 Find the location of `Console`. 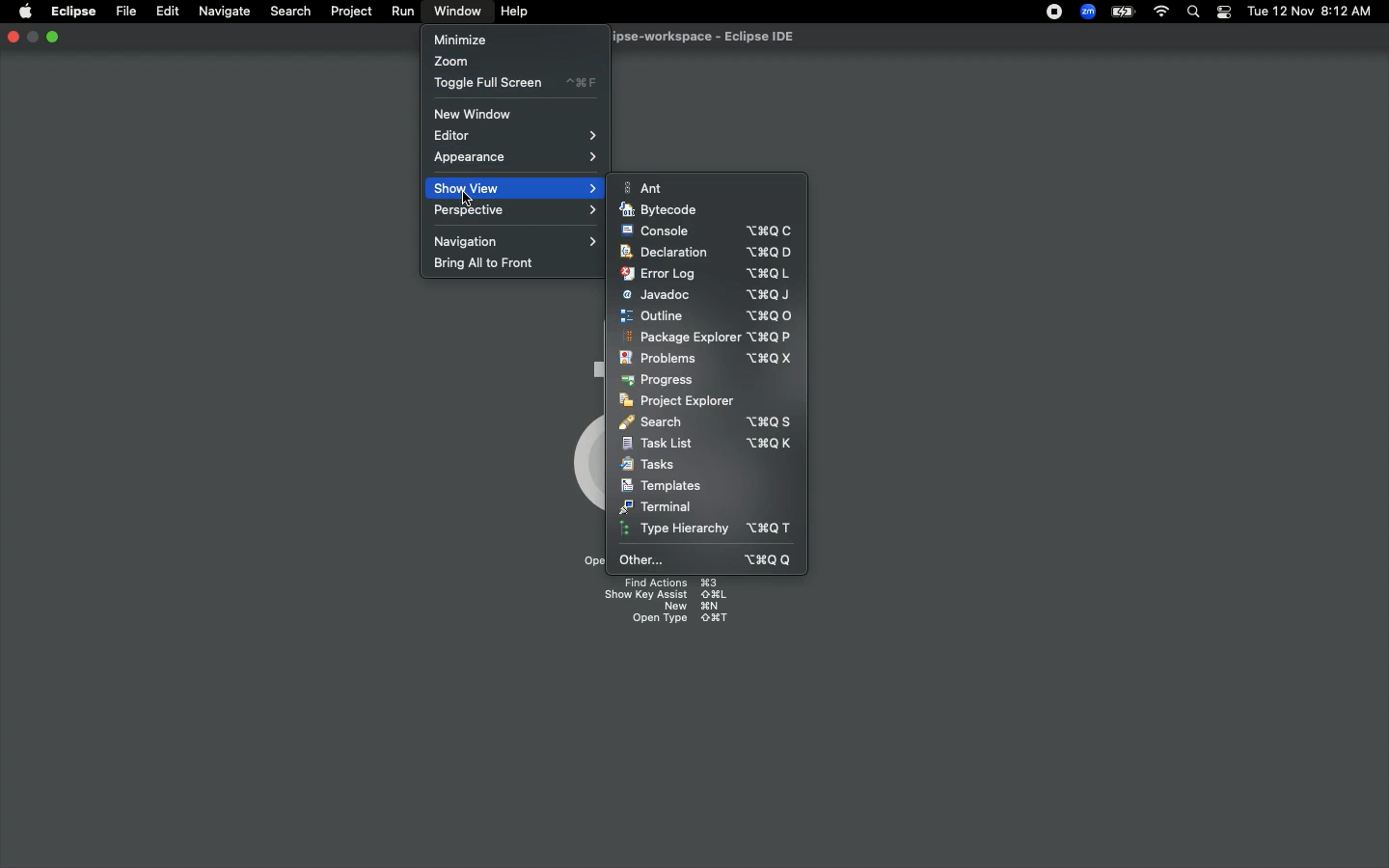

Console is located at coordinates (707, 231).